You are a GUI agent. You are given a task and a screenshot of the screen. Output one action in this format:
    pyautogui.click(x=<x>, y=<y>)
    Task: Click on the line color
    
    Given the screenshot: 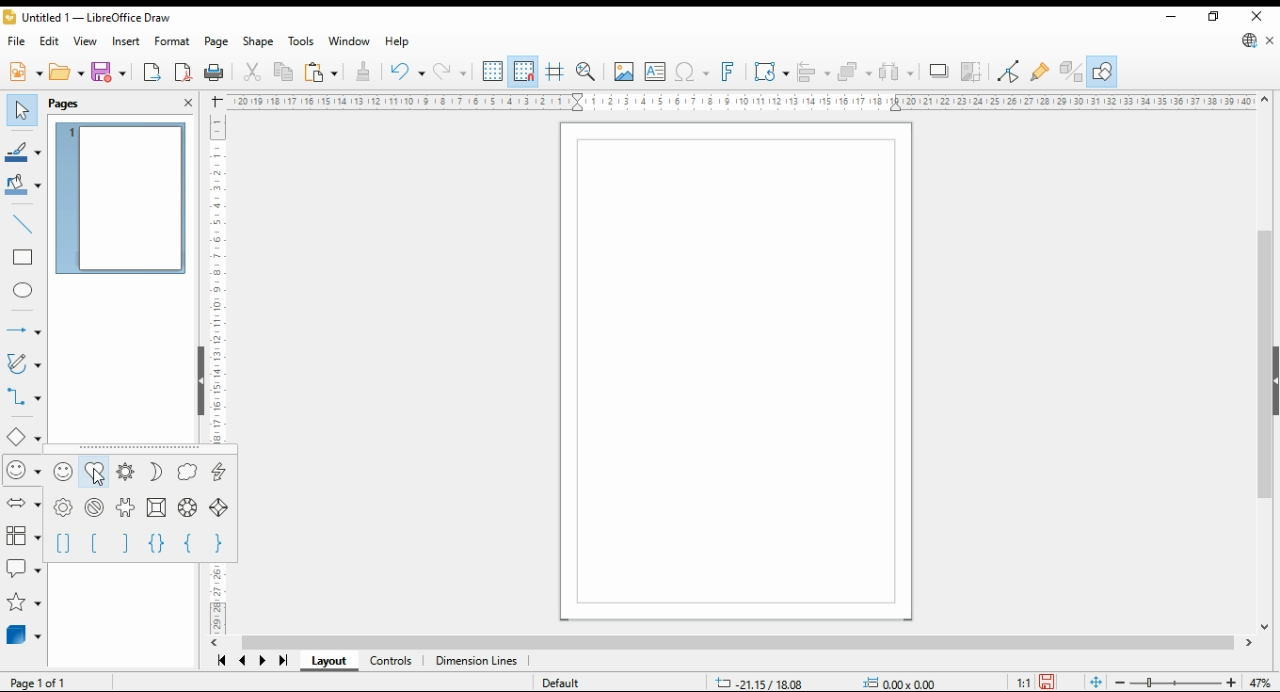 What is the action you would take?
    pyautogui.click(x=25, y=150)
    